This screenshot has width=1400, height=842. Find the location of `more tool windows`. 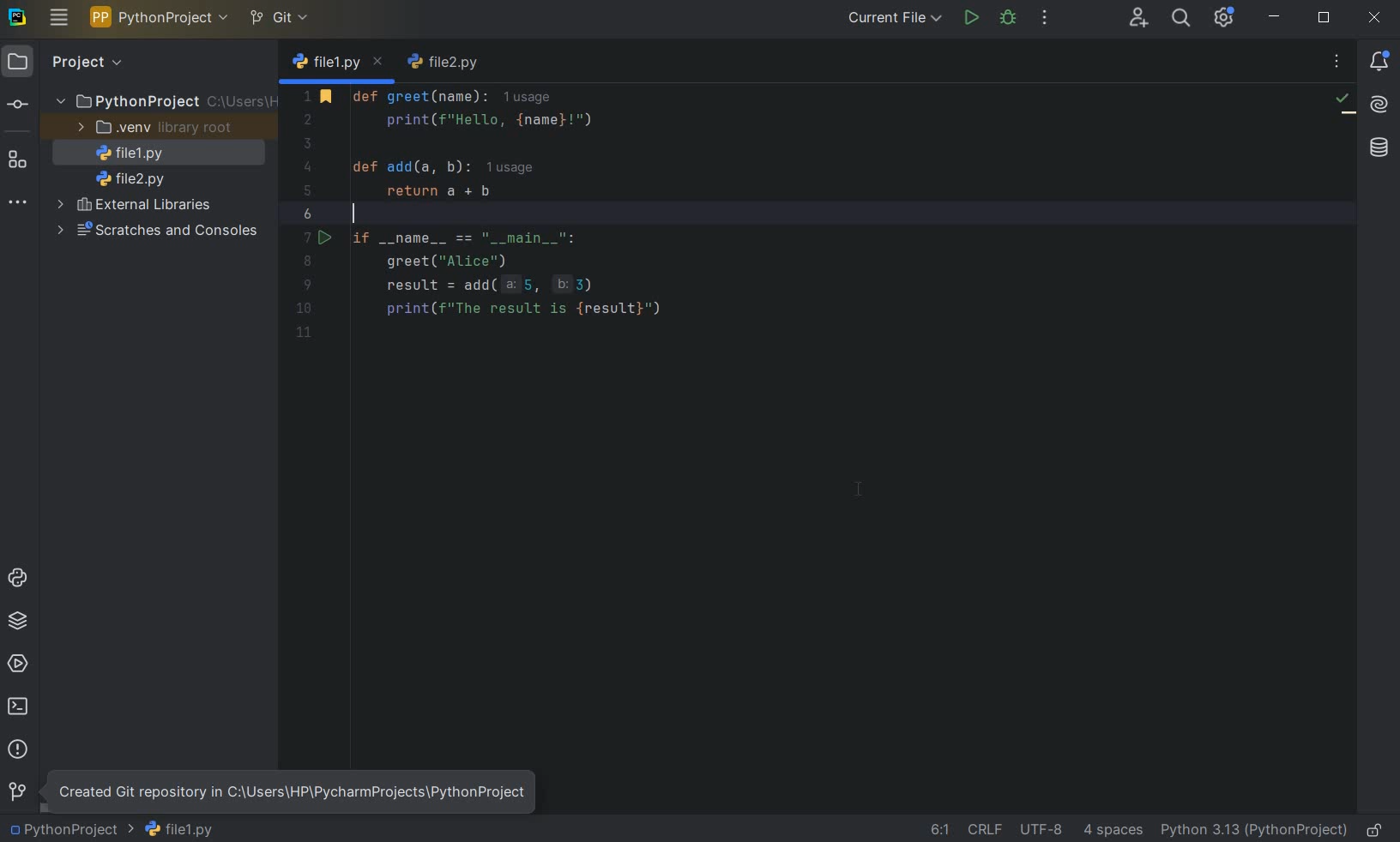

more tool windows is located at coordinates (19, 201).